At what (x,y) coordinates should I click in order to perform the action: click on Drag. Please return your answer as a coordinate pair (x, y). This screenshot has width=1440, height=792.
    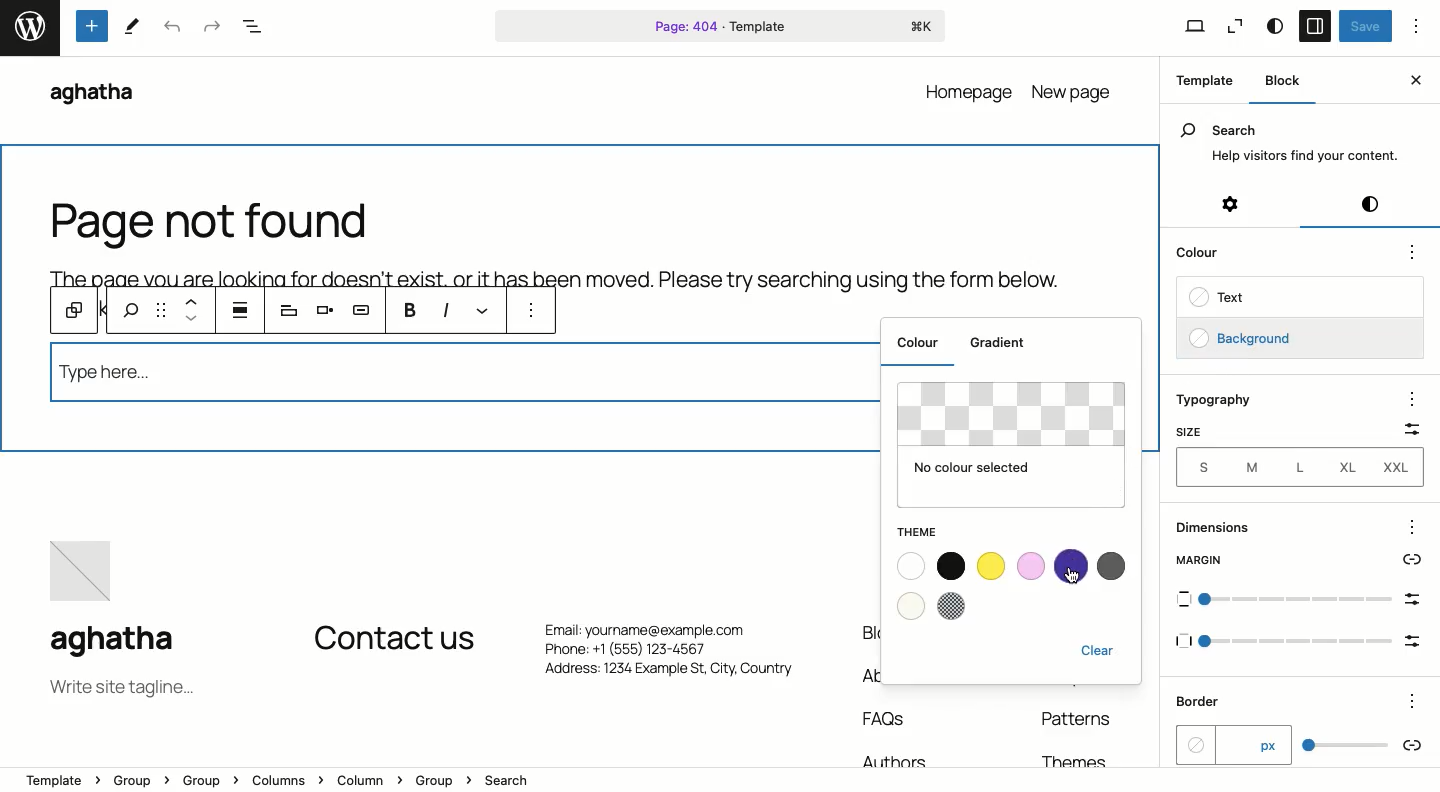
    Looking at the image, I should click on (160, 309).